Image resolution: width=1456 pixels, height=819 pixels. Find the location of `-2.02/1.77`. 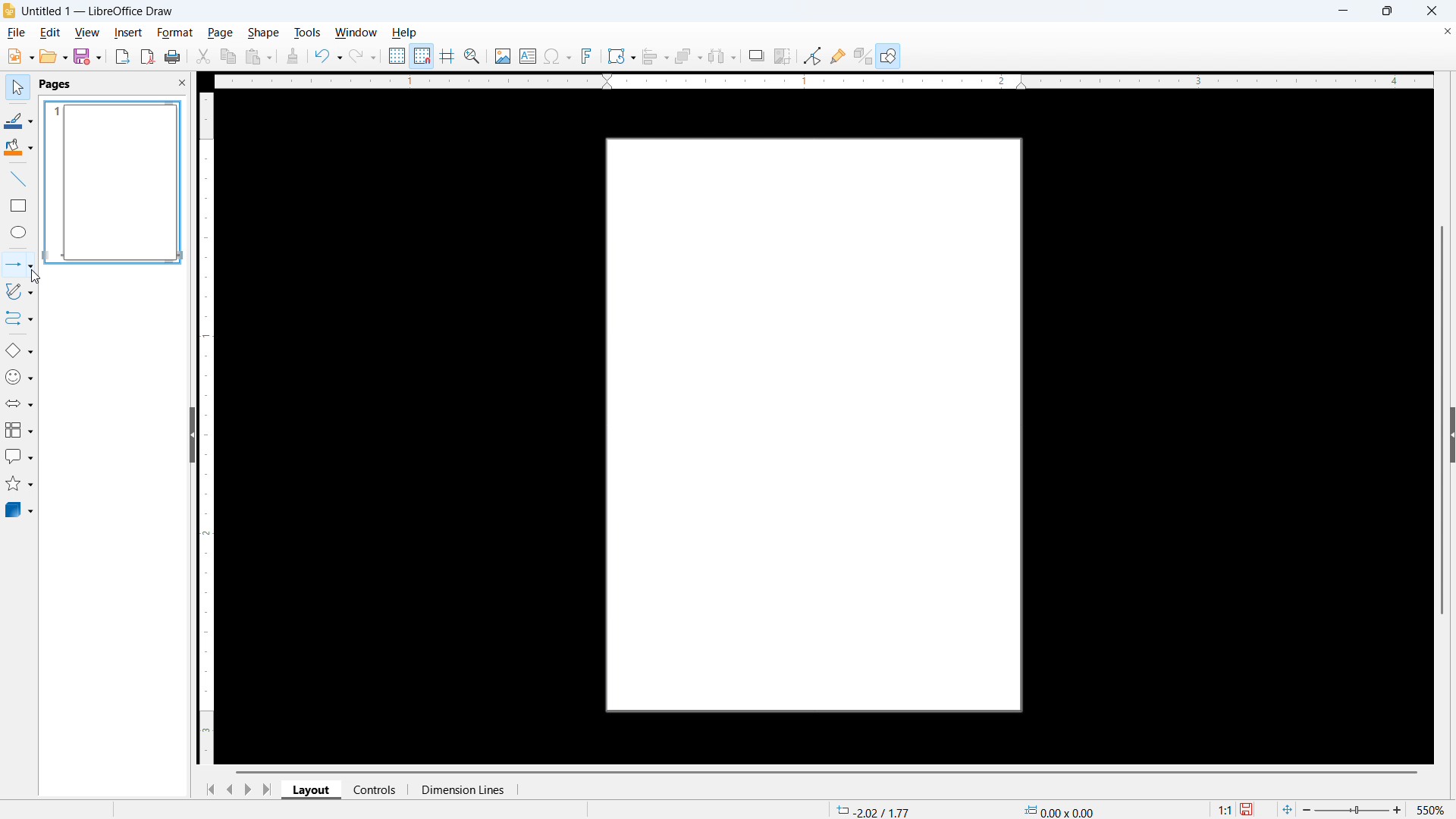

-2.02/1.77 is located at coordinates (871, 811).